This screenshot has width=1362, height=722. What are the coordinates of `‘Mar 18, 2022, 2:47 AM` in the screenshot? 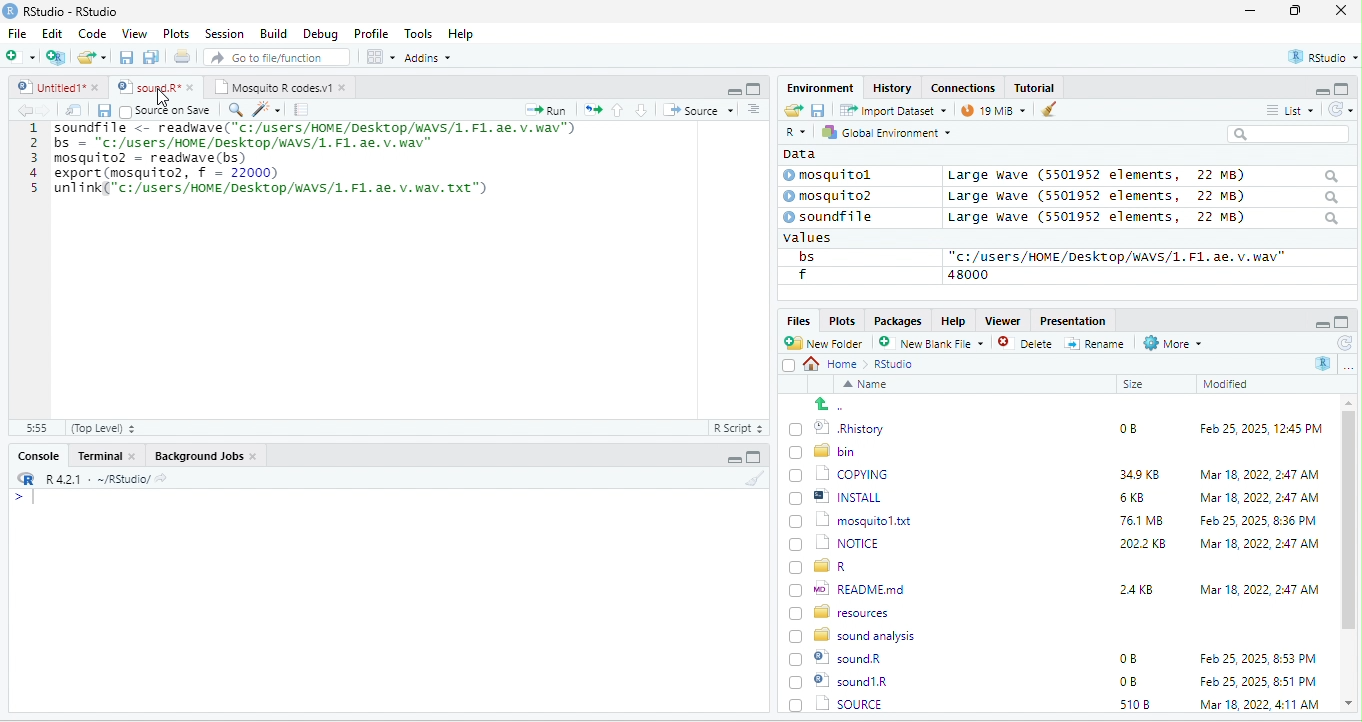 It's located at (1258, 544).